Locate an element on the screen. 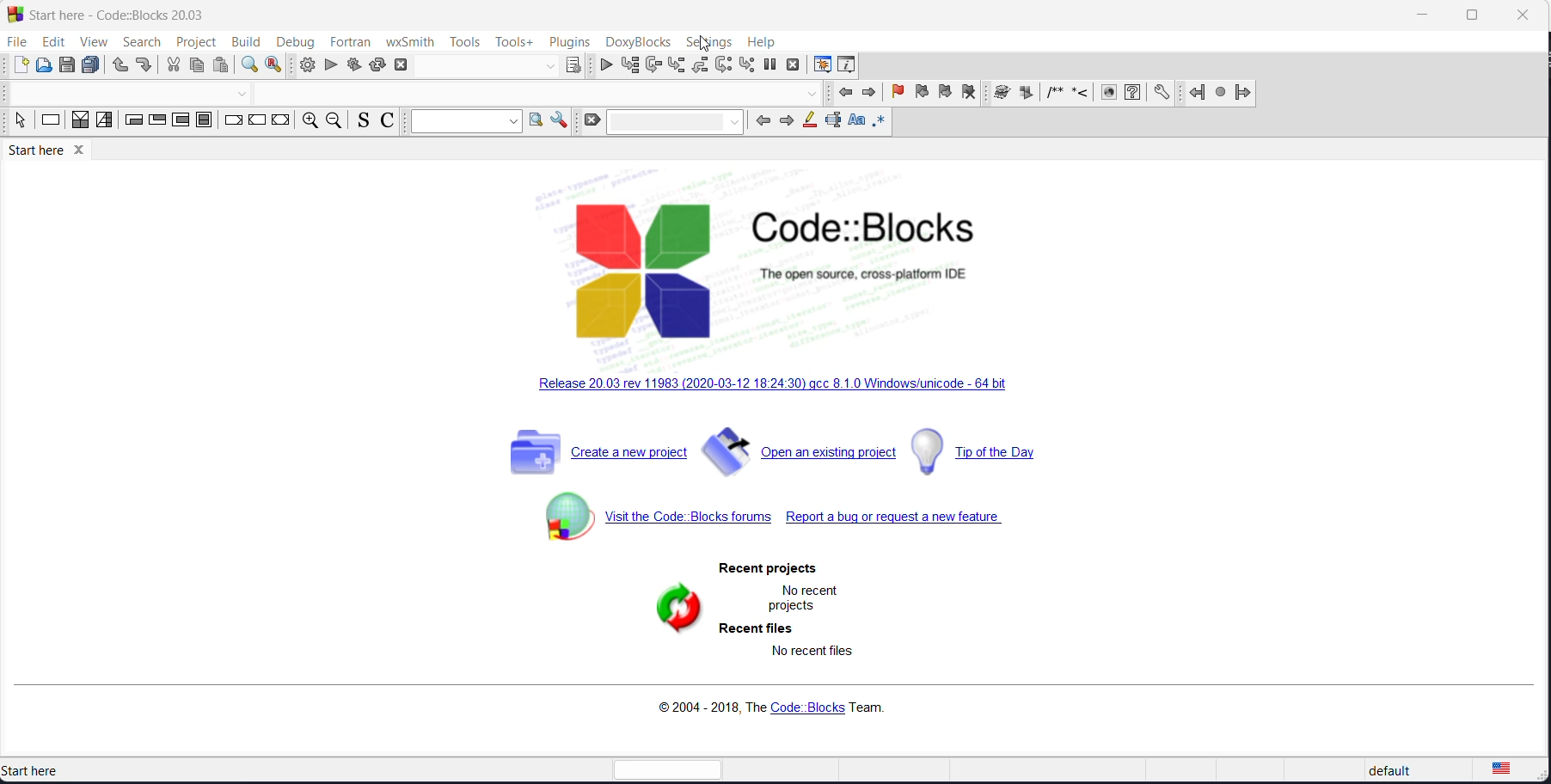 The height and width of the screenshot is (784, 1551). paste is located at coordinates (222, 66).